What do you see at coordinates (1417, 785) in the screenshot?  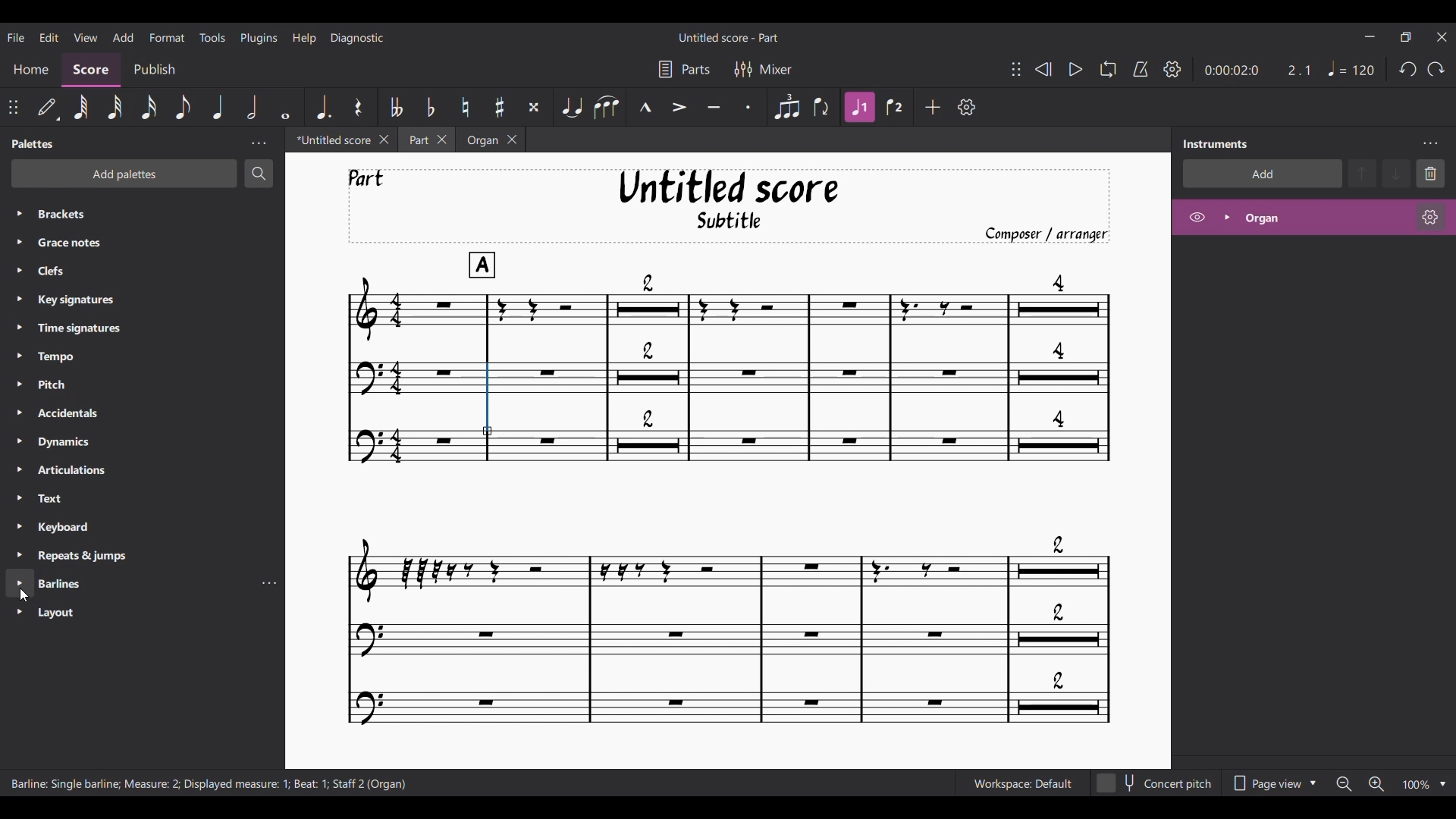 I see `Current zoom factor ` at bounding box center [1417, 785].